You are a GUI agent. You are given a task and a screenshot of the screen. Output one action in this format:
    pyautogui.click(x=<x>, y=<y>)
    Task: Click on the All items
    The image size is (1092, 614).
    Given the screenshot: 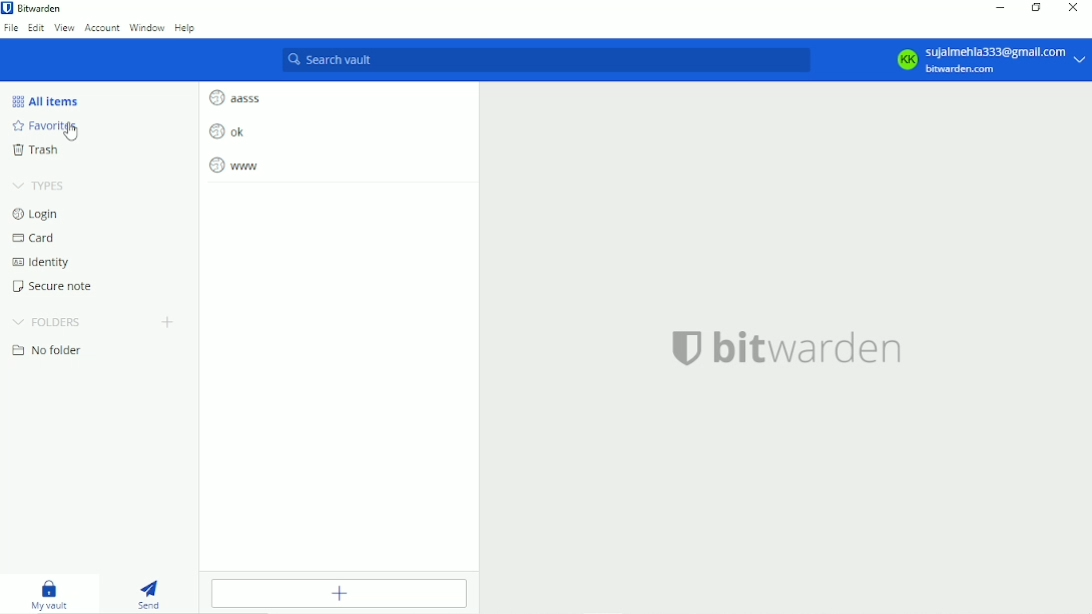 What is the action you would take?
    pyautogui.click(x=46, y=102)
    